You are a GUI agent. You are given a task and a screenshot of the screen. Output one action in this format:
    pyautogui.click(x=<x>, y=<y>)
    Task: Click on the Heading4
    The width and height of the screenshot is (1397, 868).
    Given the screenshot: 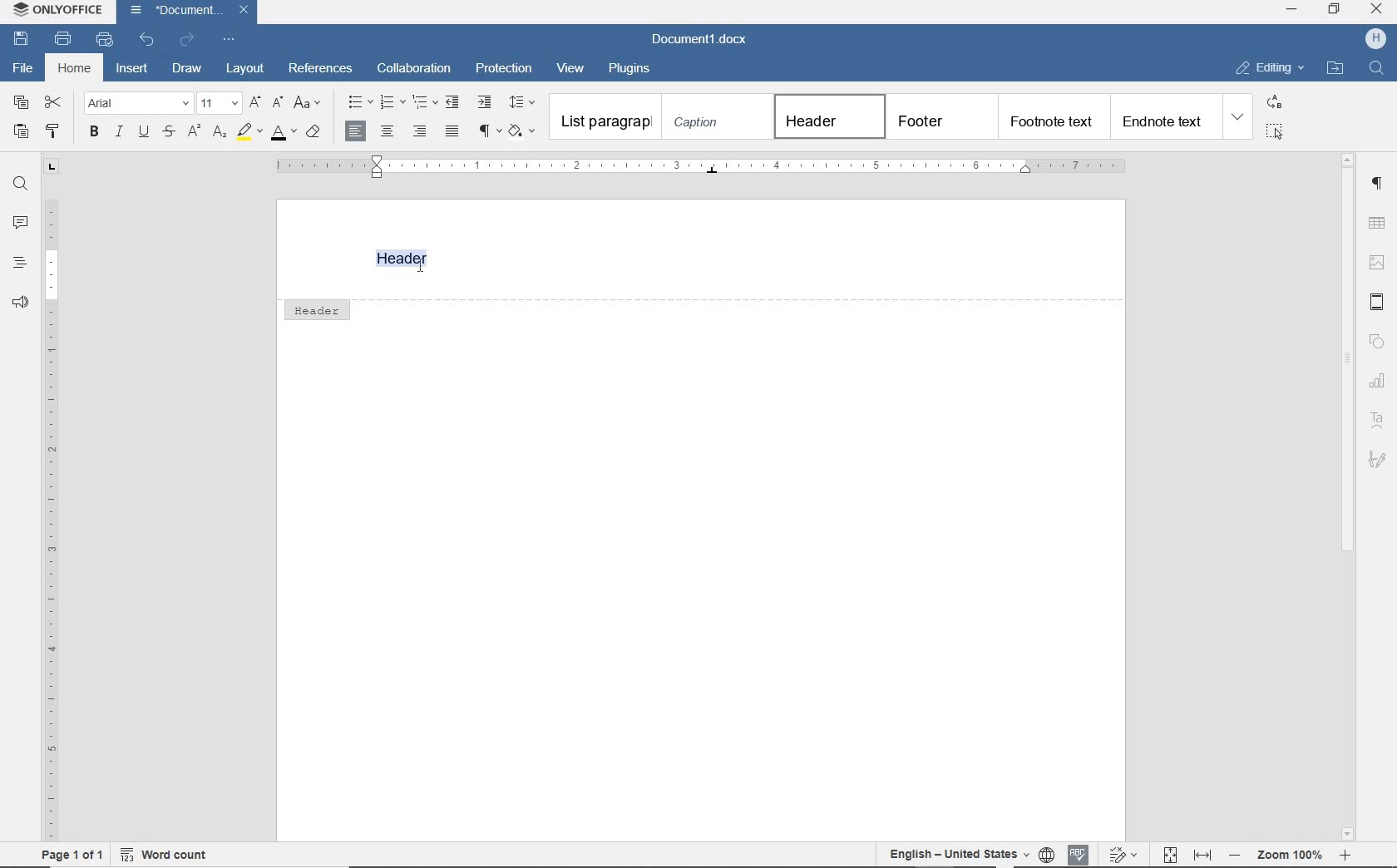 What is the action you would take?
    pyautogui.click(x=1164, y=121)
    